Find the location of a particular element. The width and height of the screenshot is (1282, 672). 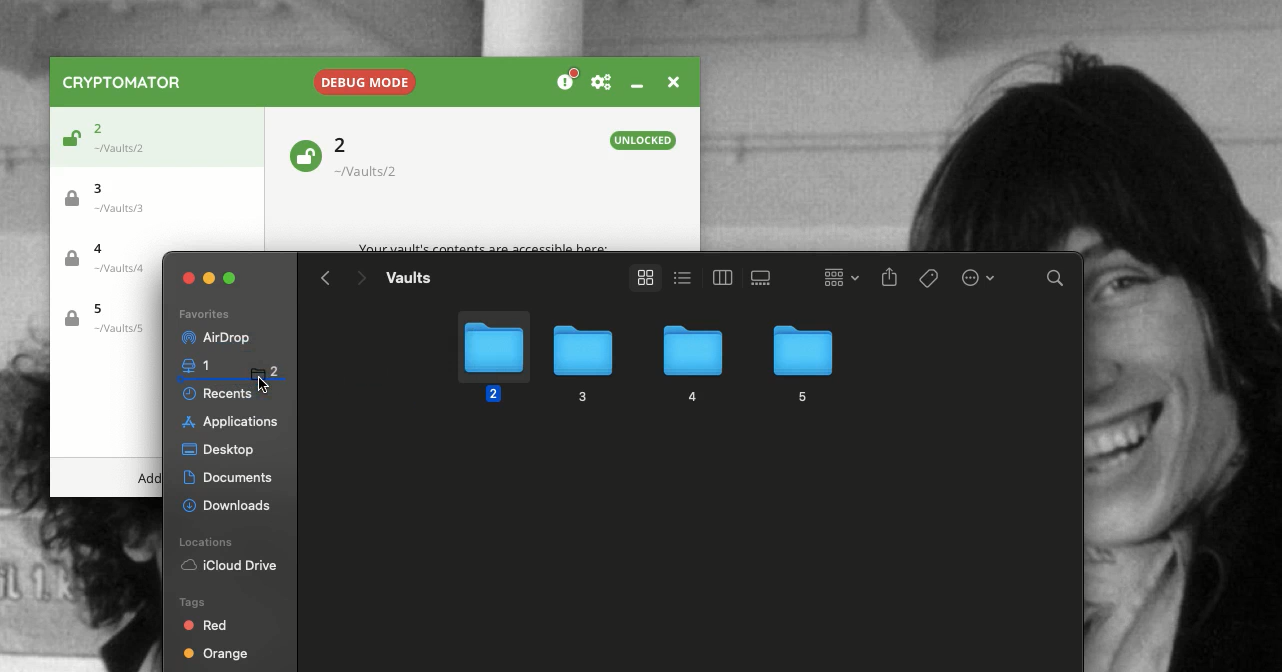

View 1 is located at coordinates (680, 276).